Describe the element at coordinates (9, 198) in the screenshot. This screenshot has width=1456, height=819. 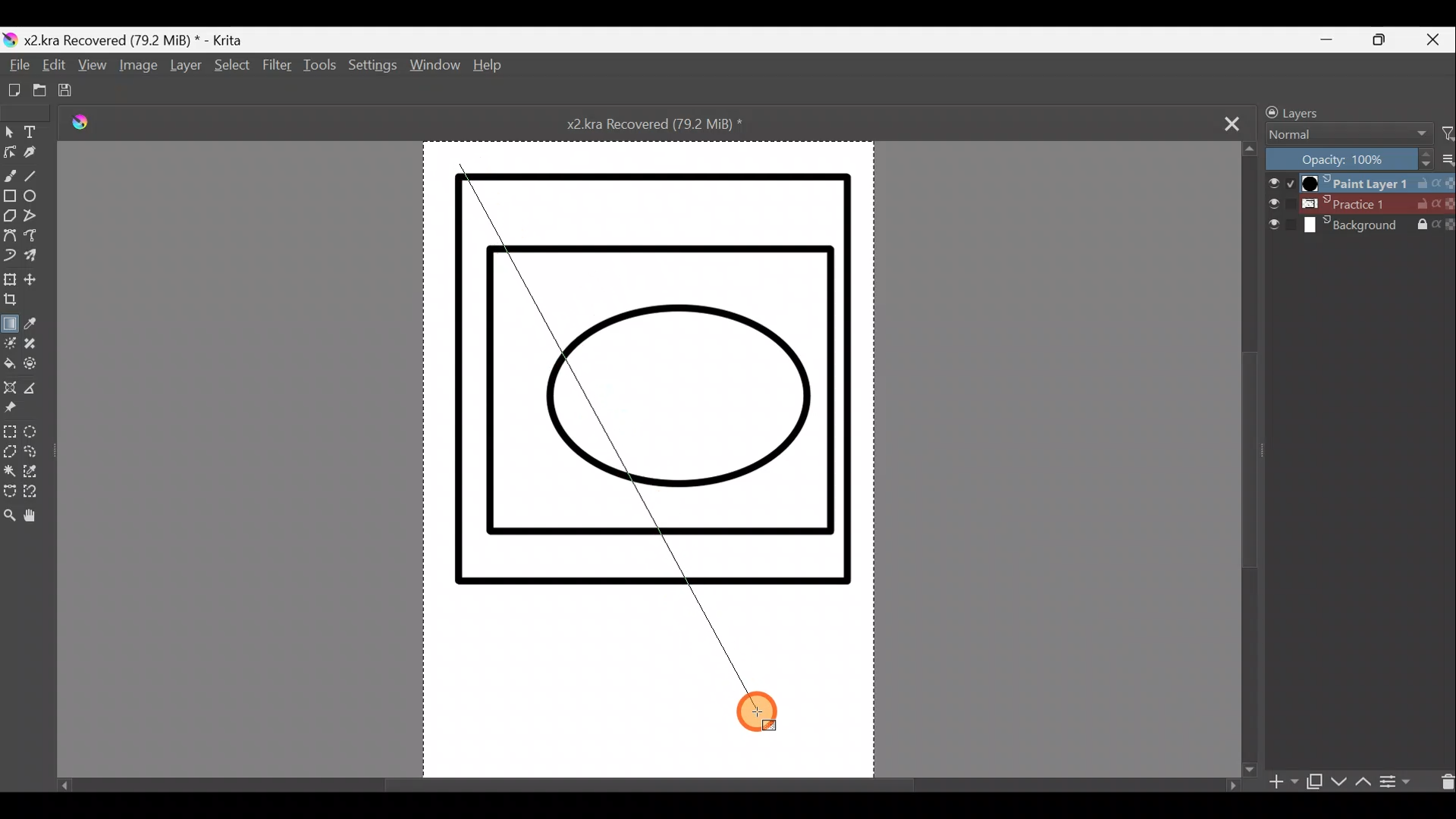
I see `Rectangle tool` at that location.